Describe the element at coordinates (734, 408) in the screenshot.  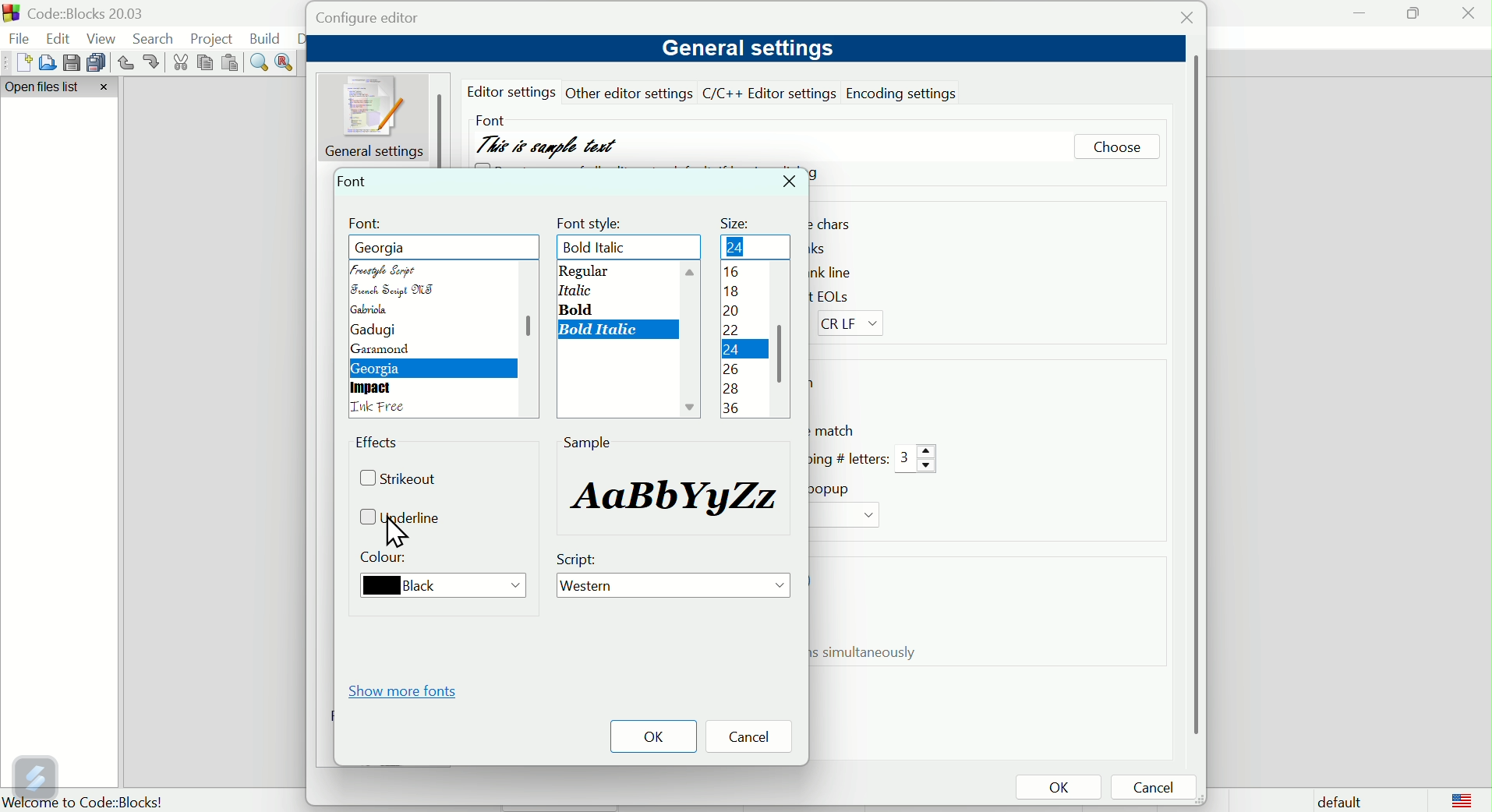
I see `36` at that location.